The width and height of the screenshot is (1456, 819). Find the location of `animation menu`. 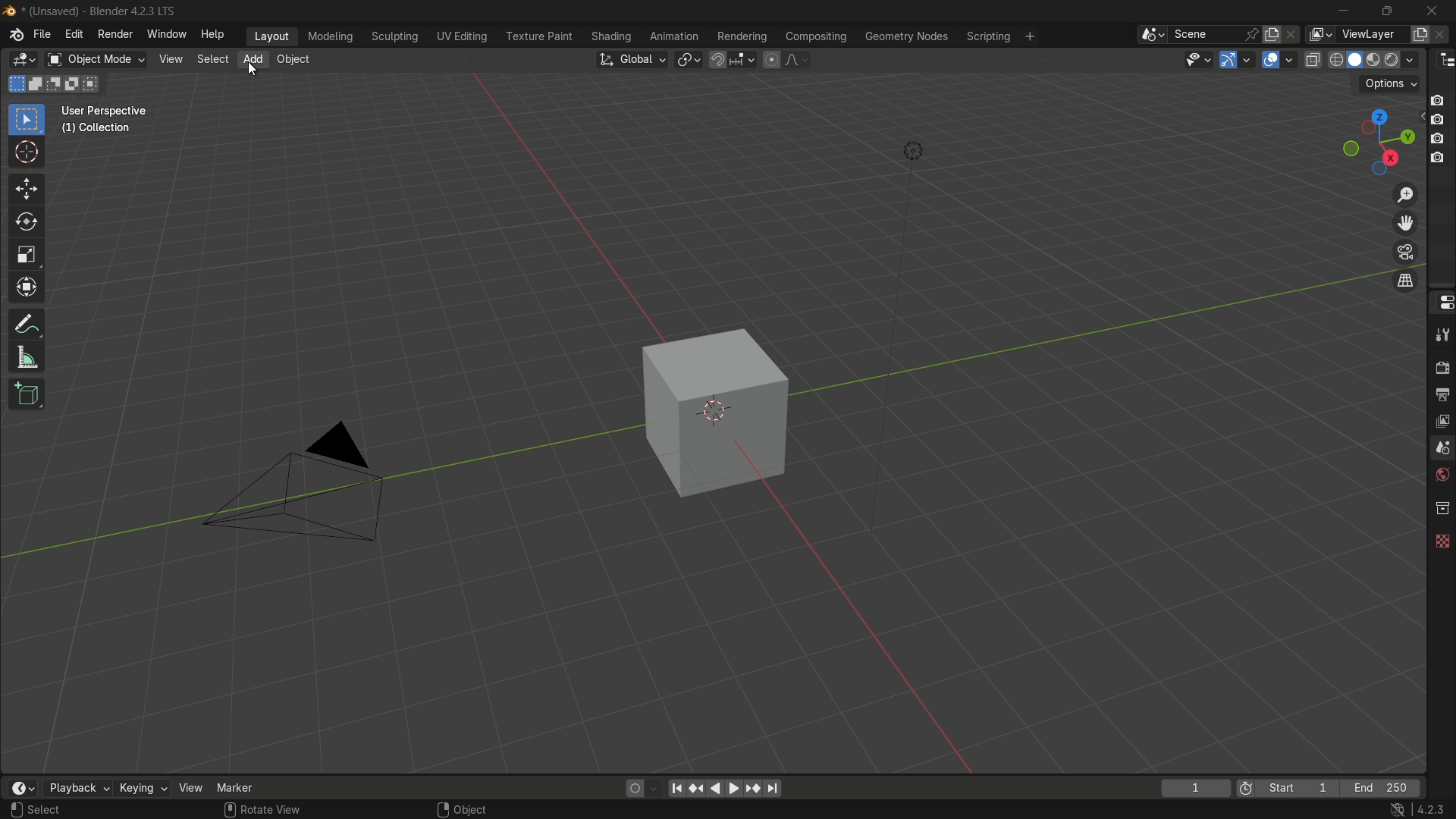

animation menu is located at coordinates (676, 38).